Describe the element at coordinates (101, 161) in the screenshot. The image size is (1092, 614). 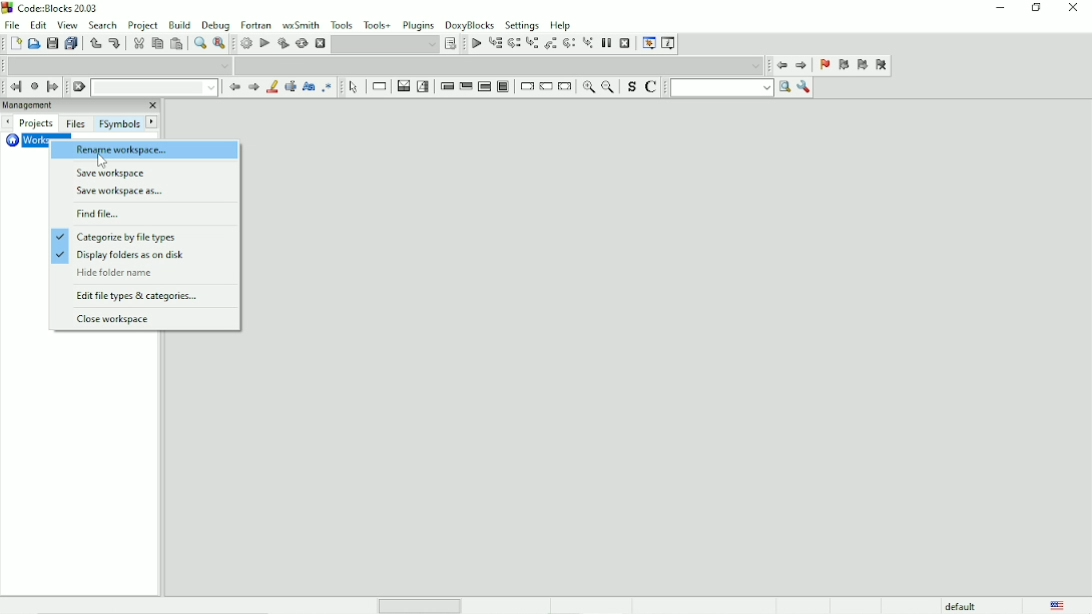
I see `Cursor` at that location.